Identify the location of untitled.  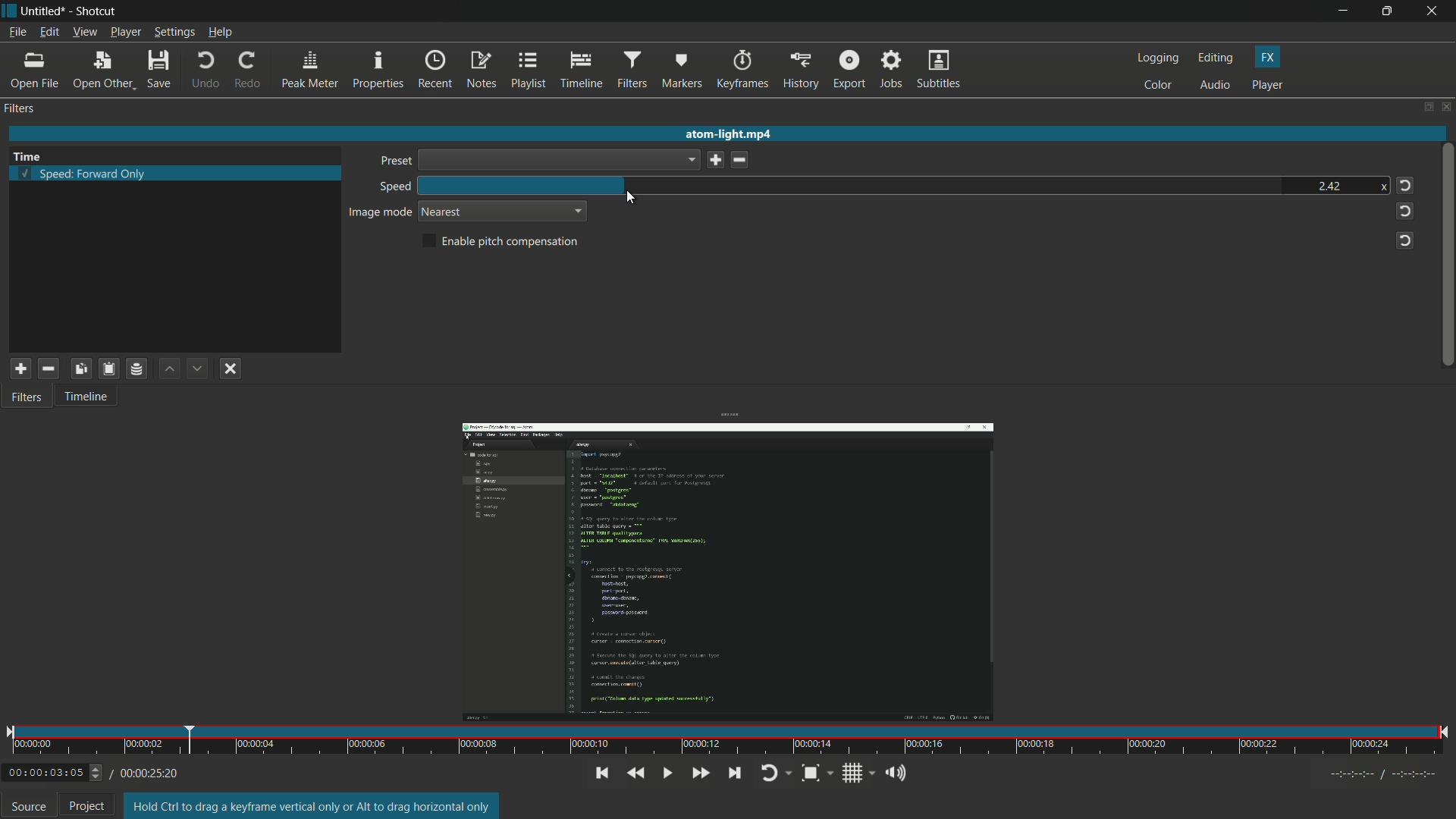
(44, 10).